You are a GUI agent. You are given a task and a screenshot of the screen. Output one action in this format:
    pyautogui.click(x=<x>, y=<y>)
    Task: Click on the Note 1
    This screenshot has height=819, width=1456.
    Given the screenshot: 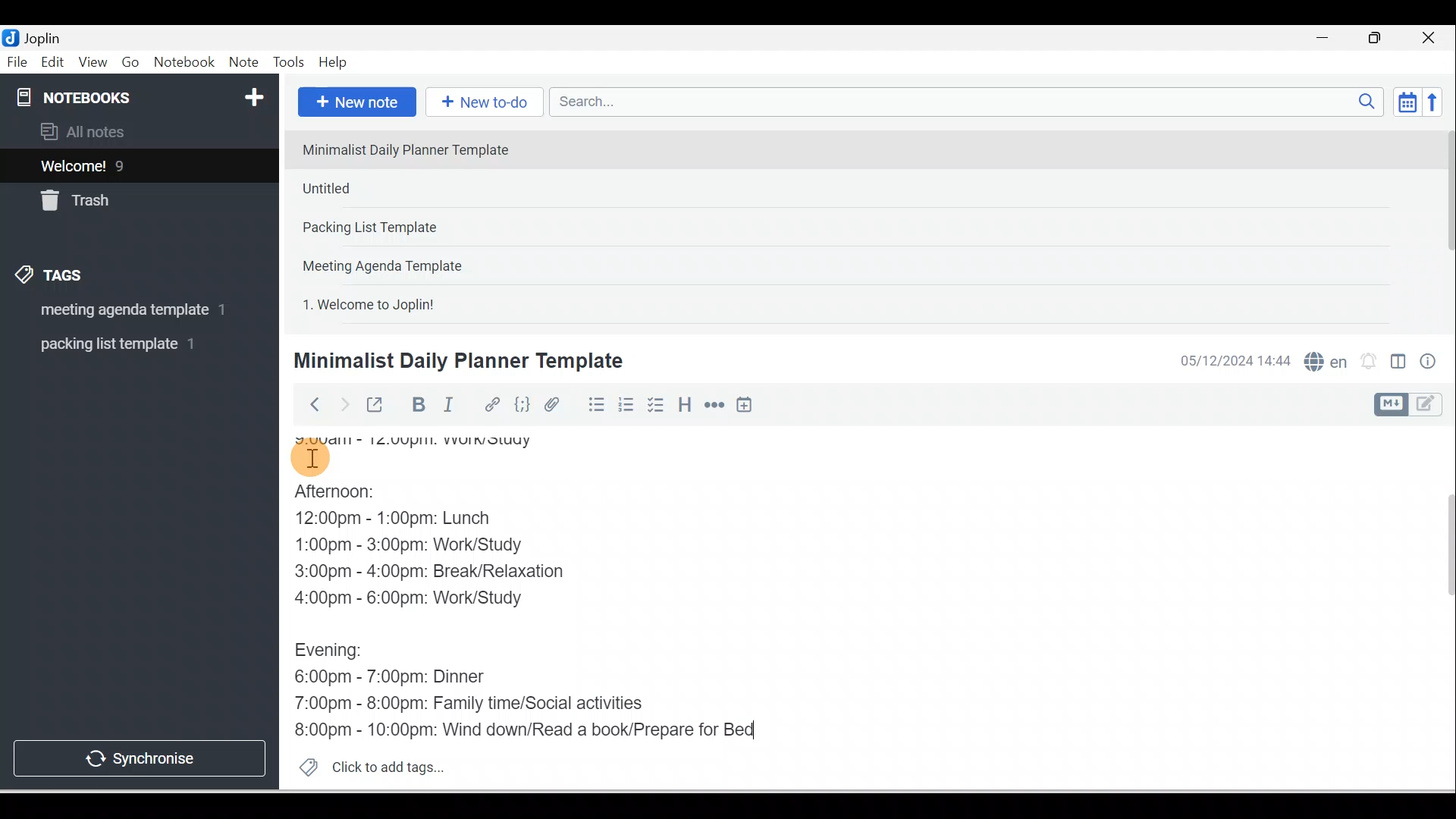 What is the action you would take?
    pyautogui.click(x=416, y=149)
    